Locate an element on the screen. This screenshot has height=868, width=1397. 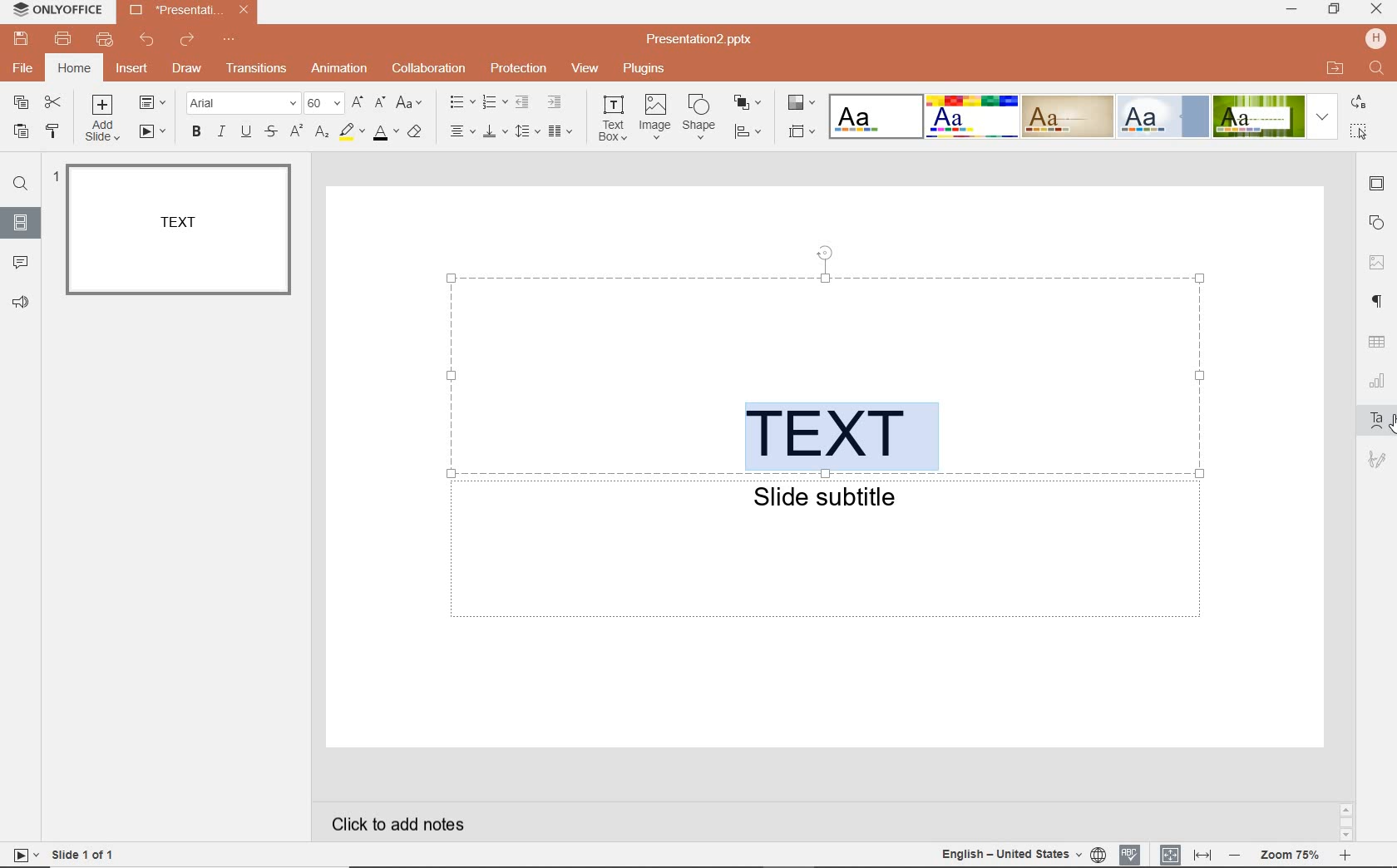
PLUGINS is located at coordinates (643, 67).